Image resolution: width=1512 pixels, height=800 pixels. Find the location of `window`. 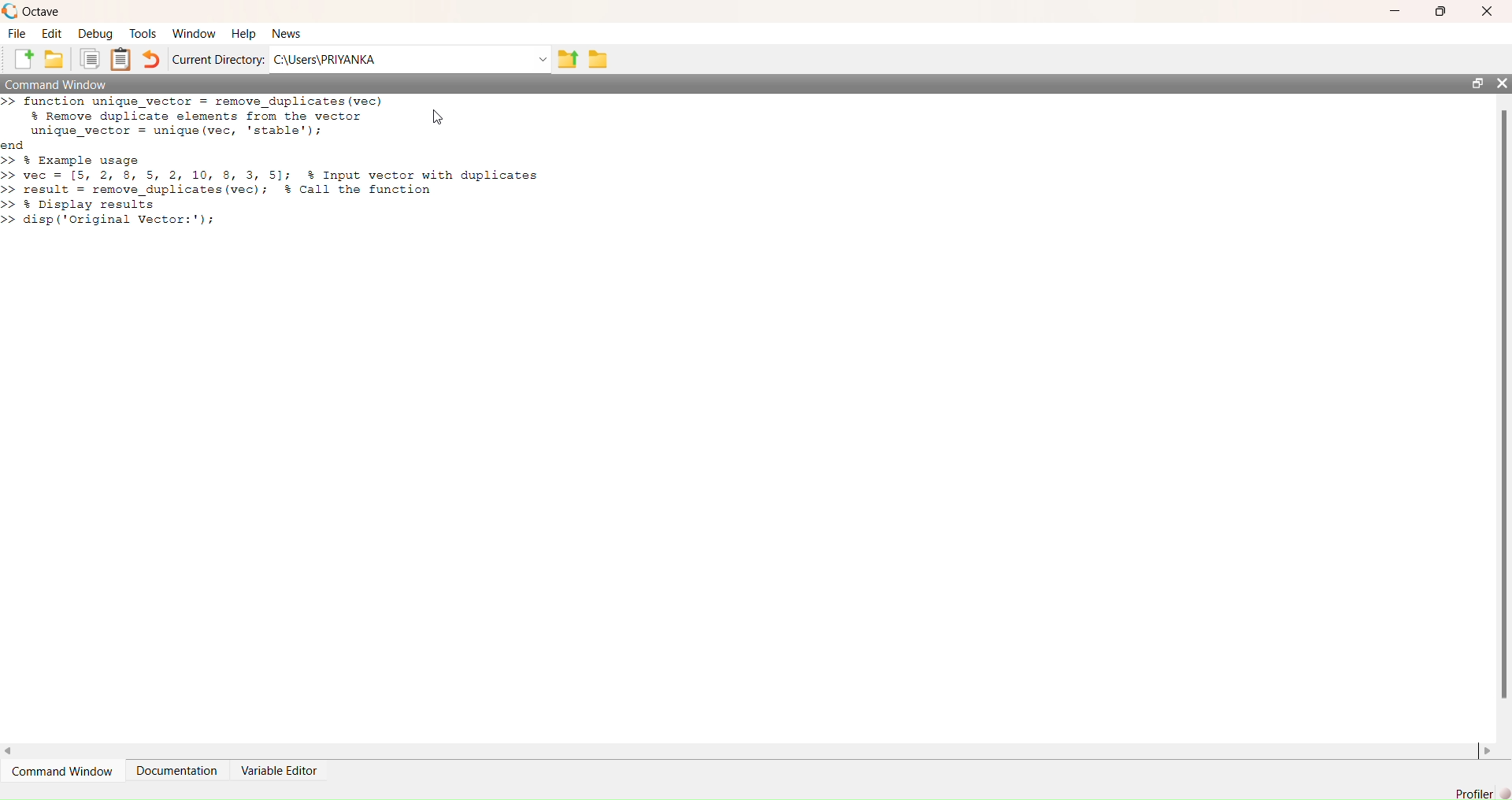

window is located at coordinates (196, 35).